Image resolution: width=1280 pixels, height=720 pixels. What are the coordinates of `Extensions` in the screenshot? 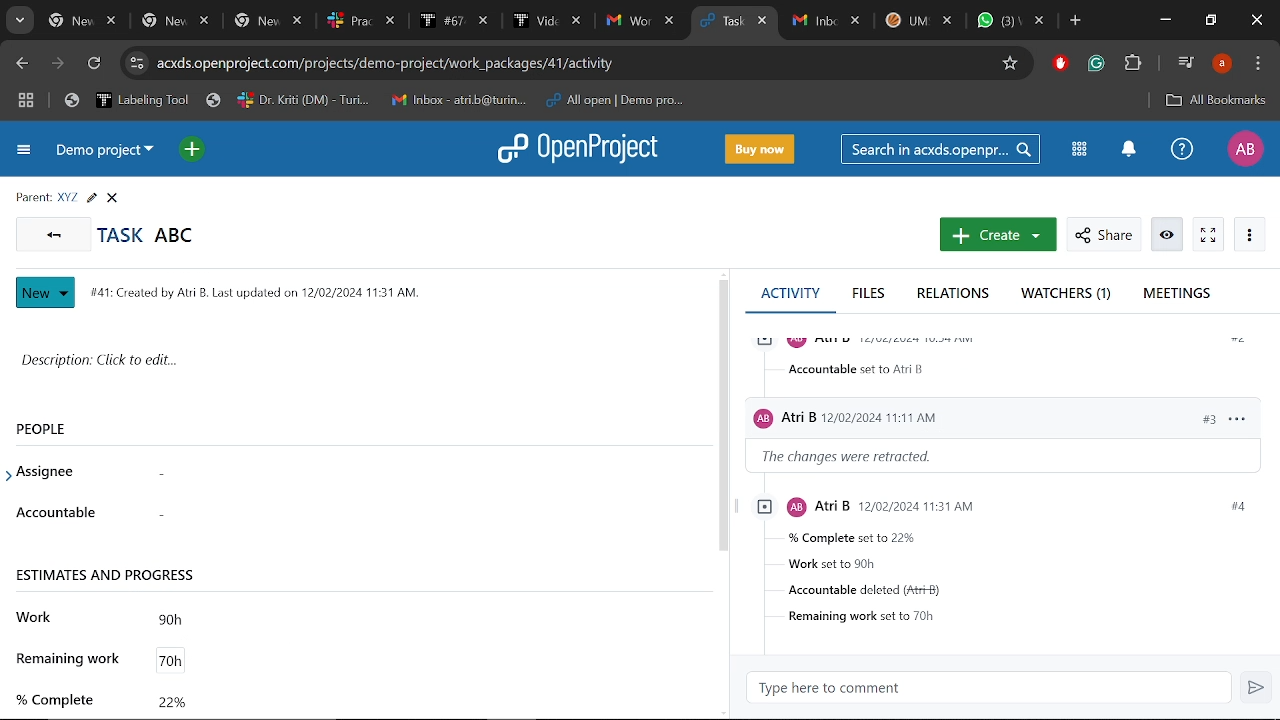 It's located at (1135, 64).